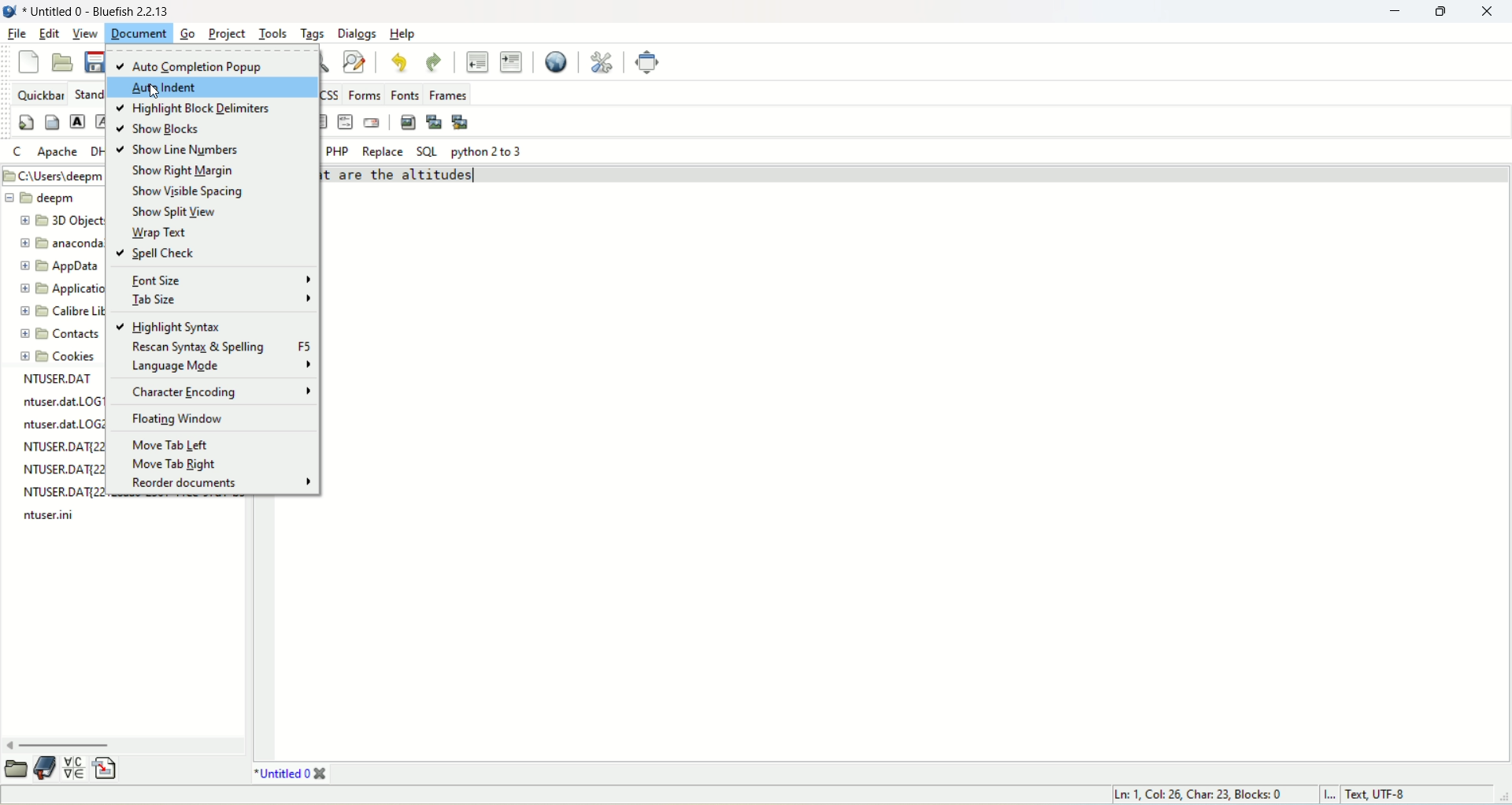 Image resolution: width=1512 pixels, height=805 pixels. Describe the element at coordinates (17, 36) in the screenshot. I see `file` at that location.